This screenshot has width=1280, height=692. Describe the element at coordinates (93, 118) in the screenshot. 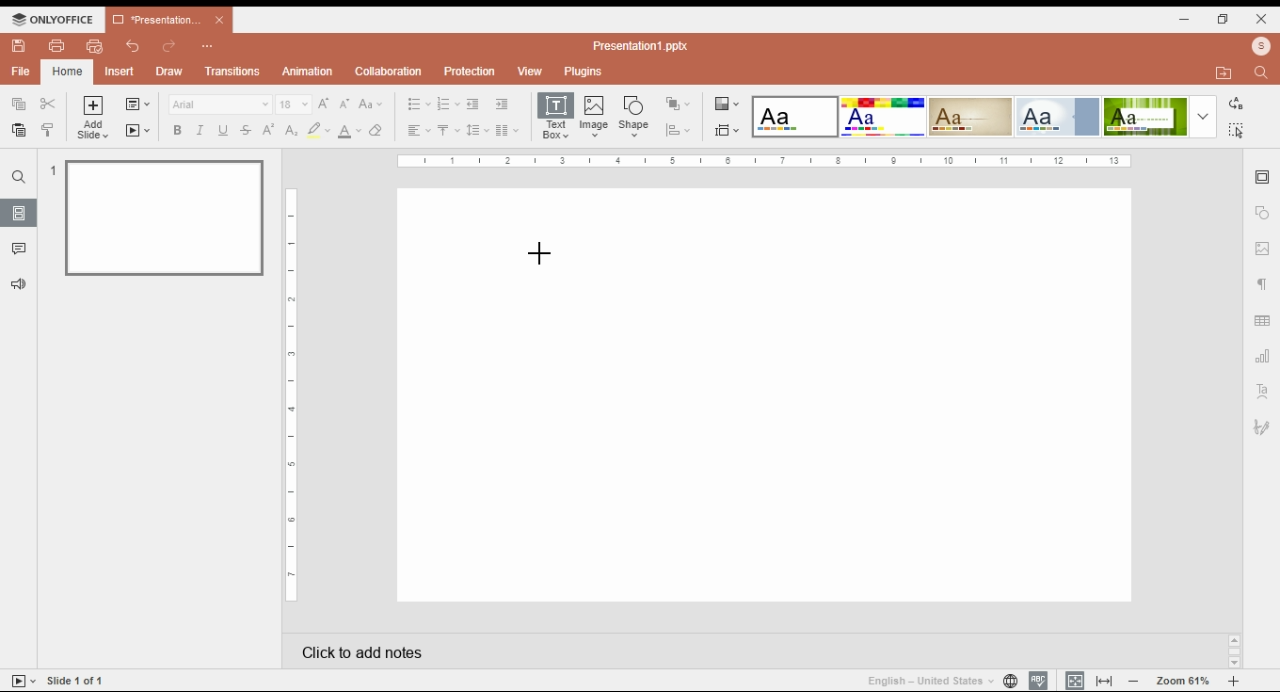

I see `add slide` at that location.